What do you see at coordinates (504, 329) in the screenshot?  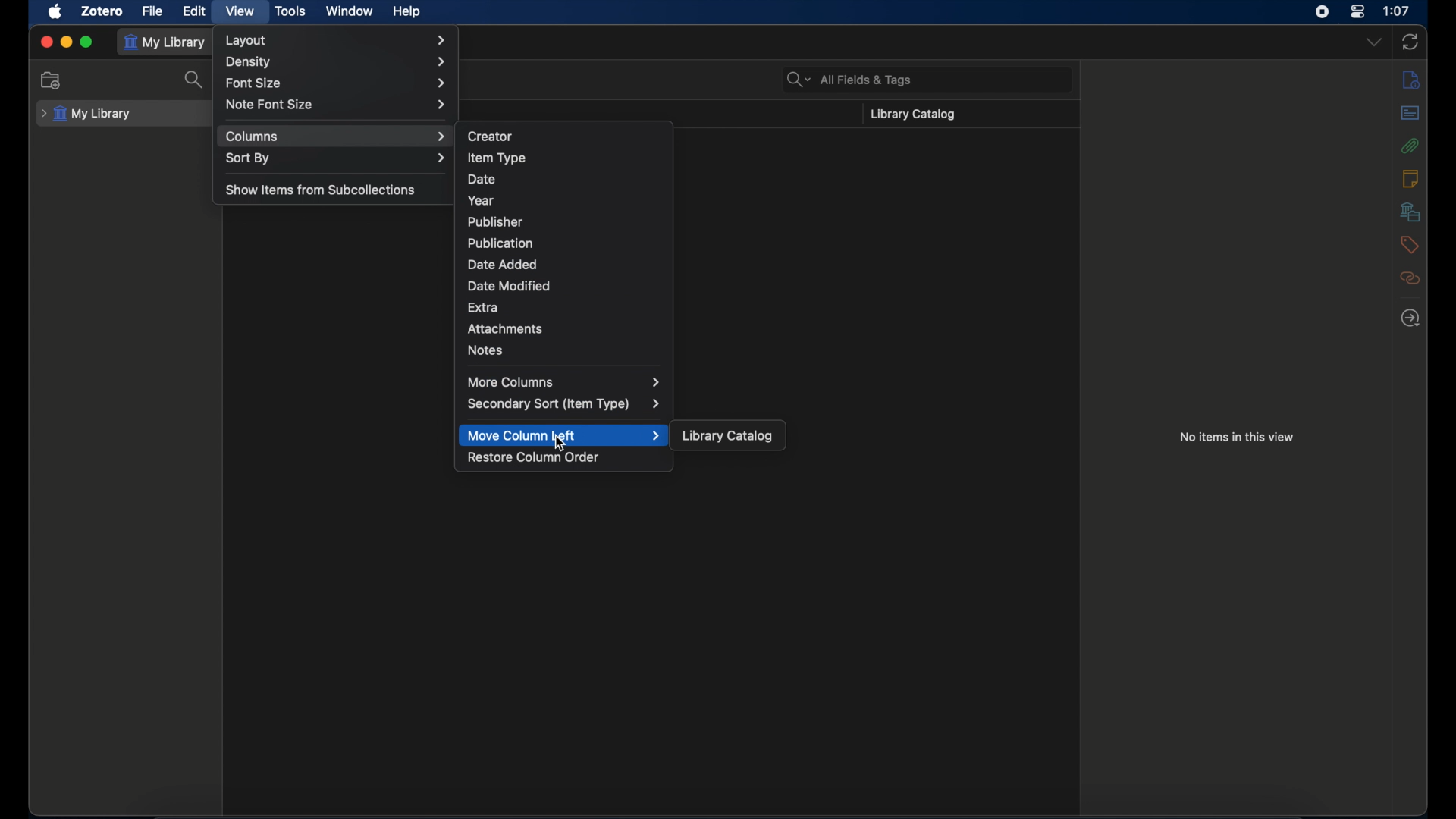 I see `attachments` at bounding box center [504, 329].